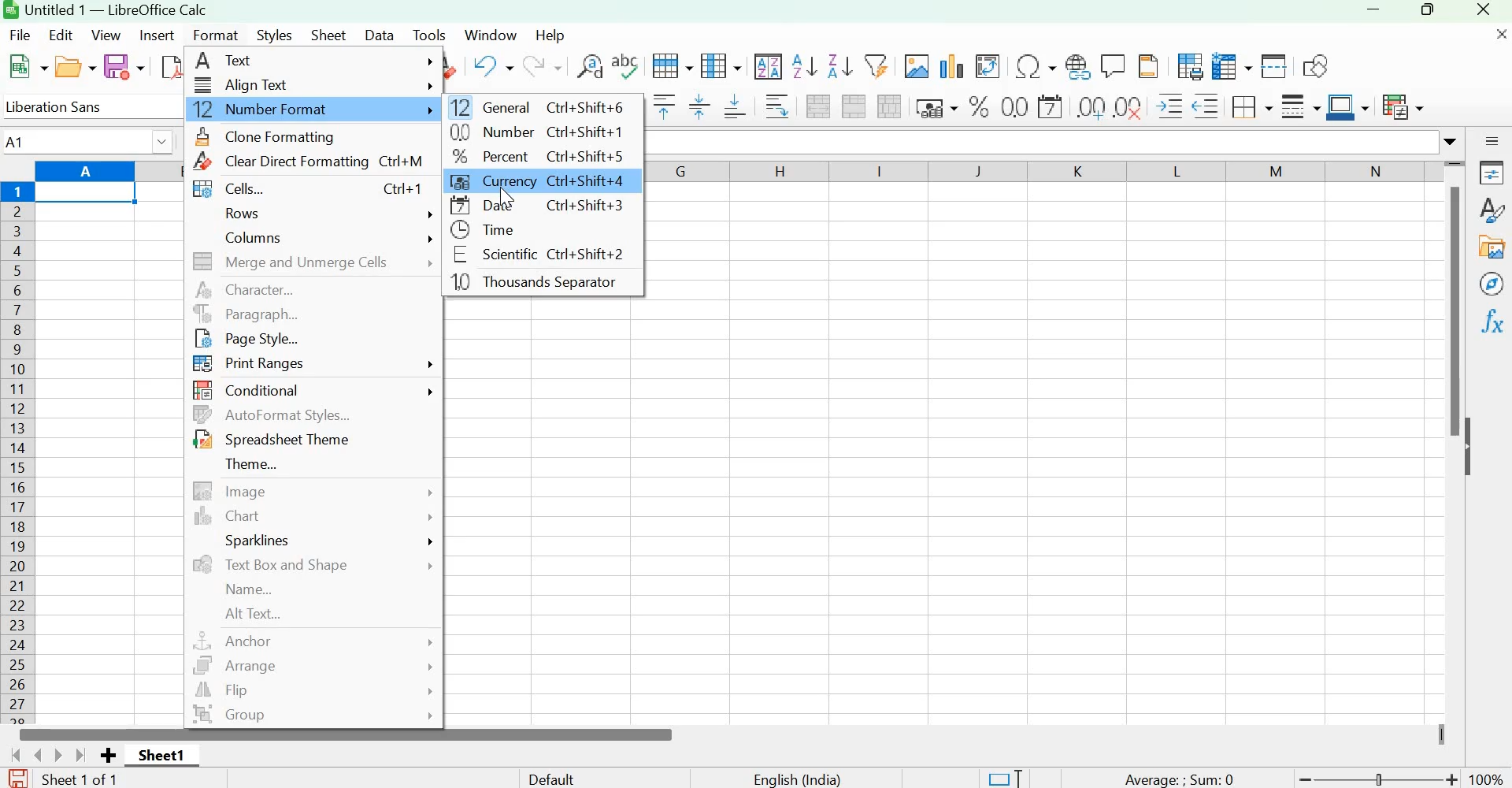  I want to click on Untitled 1 - LibreOffice Calc, so click(116, 9).